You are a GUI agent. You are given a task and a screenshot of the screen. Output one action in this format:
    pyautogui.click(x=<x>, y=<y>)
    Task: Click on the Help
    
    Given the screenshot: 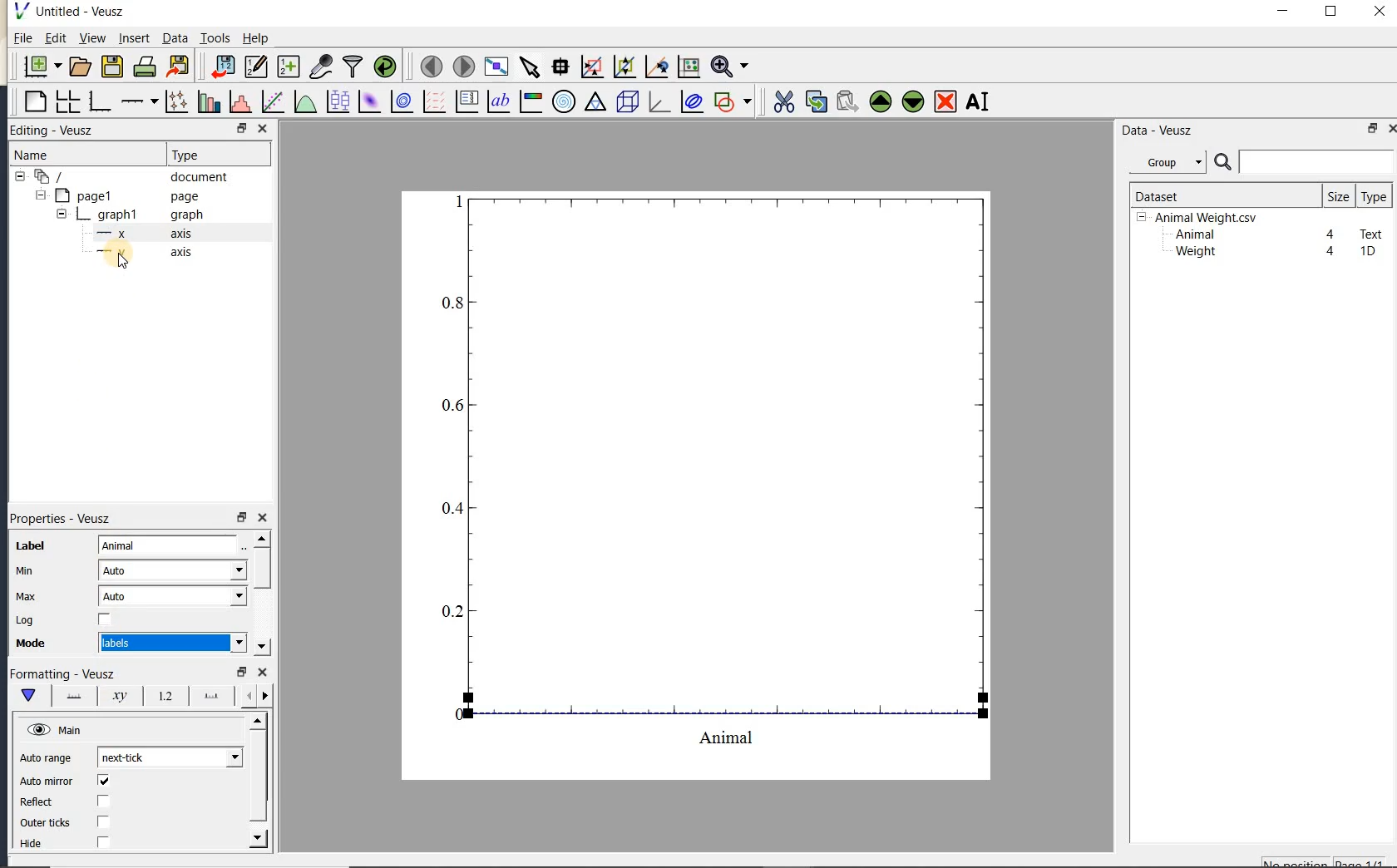 What is the action you would take?
    pyautogui.click(x=255, y=38)
    